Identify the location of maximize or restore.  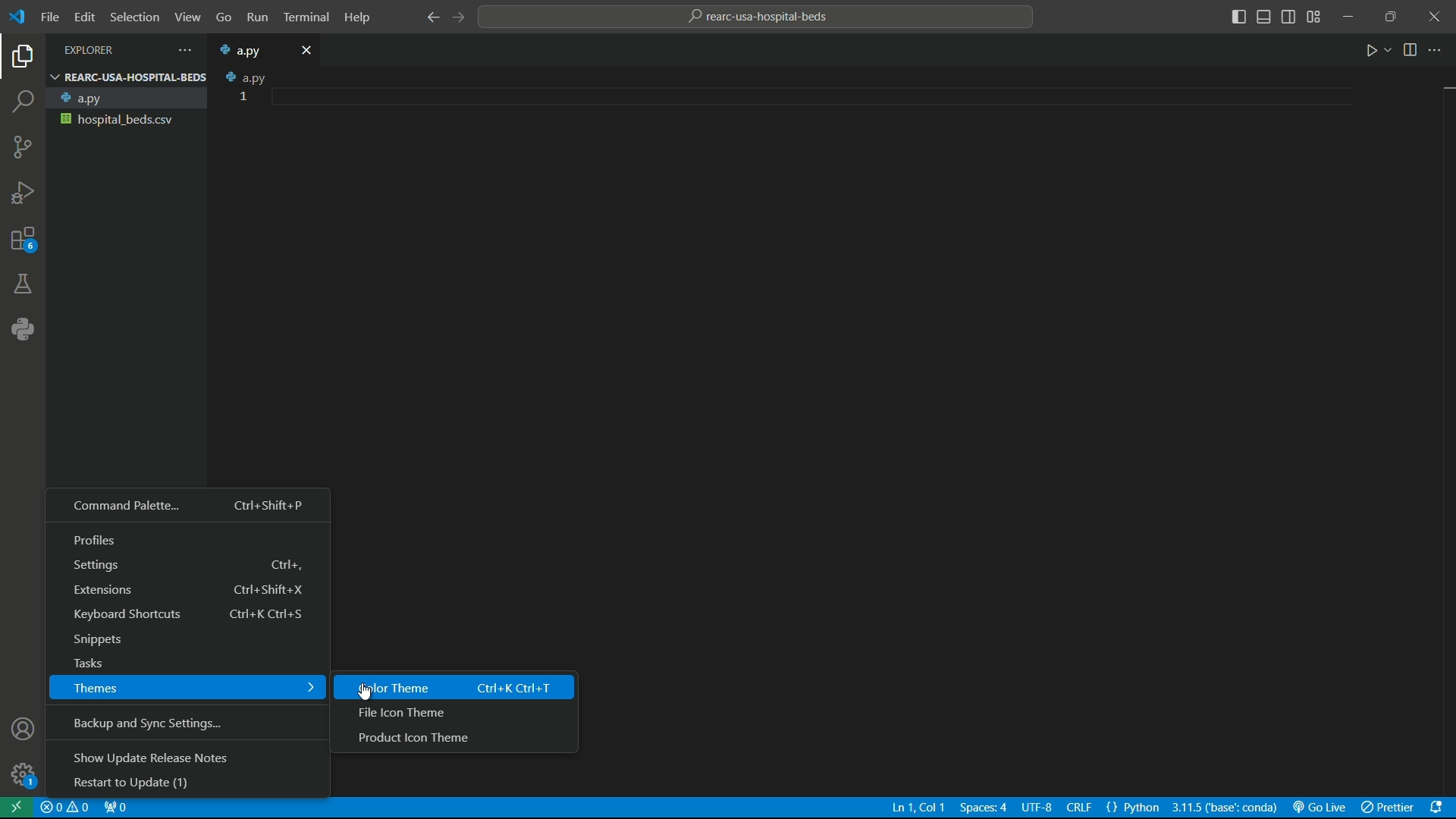
(1390, 15).